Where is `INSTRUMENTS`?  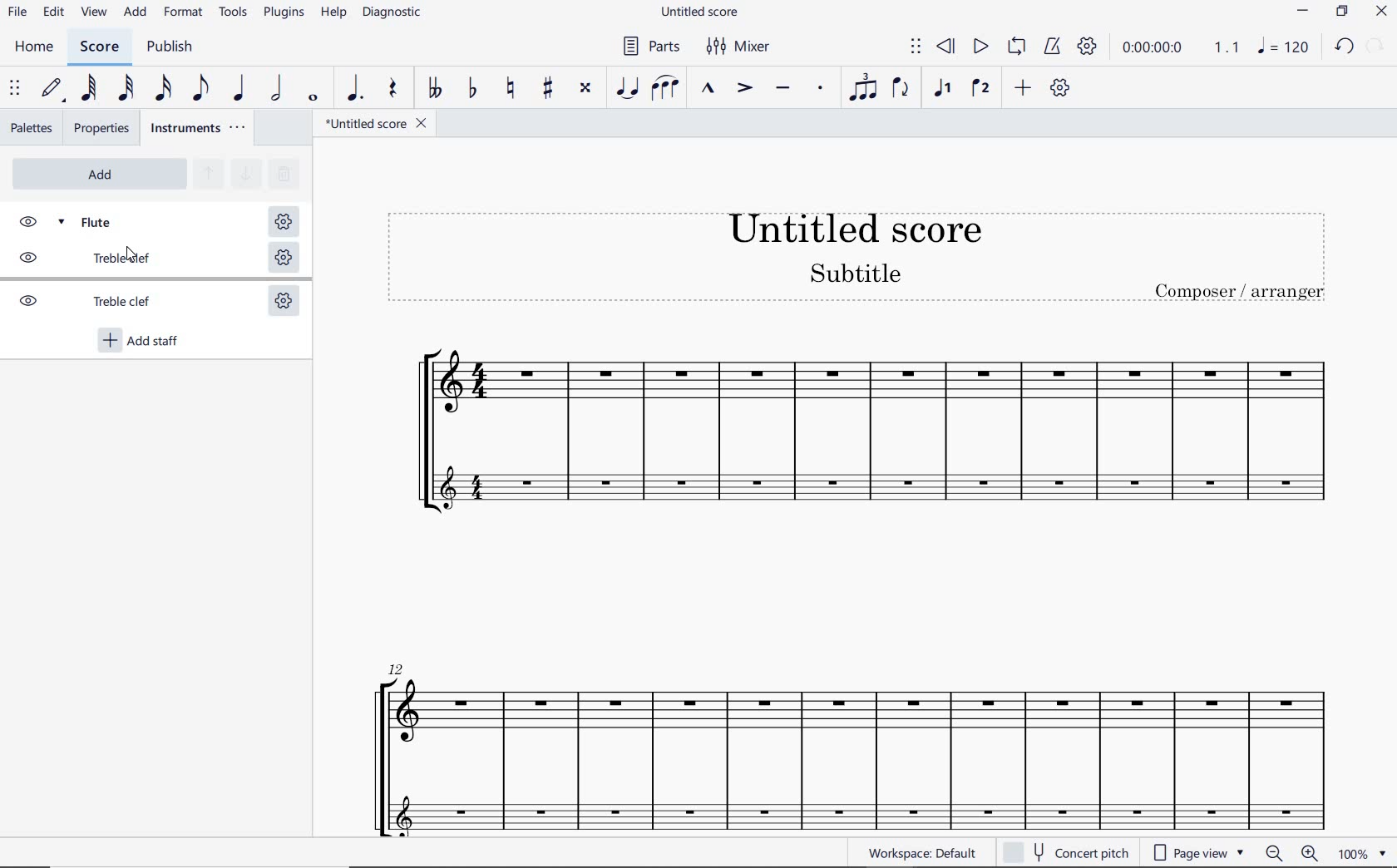 INSTRUMENTS is located at coordinates (200, 129).